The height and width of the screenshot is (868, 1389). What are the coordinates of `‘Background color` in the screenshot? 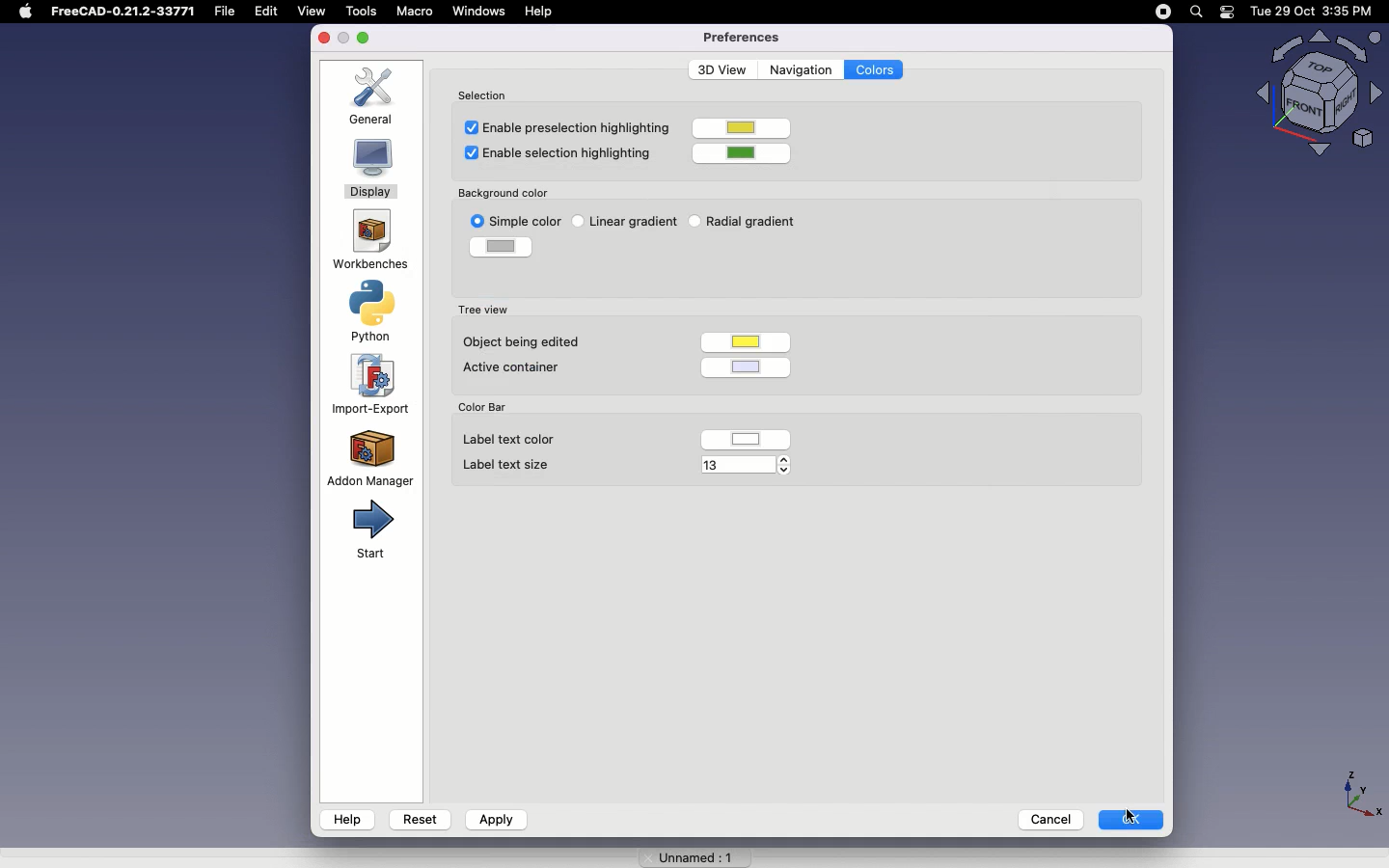 It's located at (504, 190).